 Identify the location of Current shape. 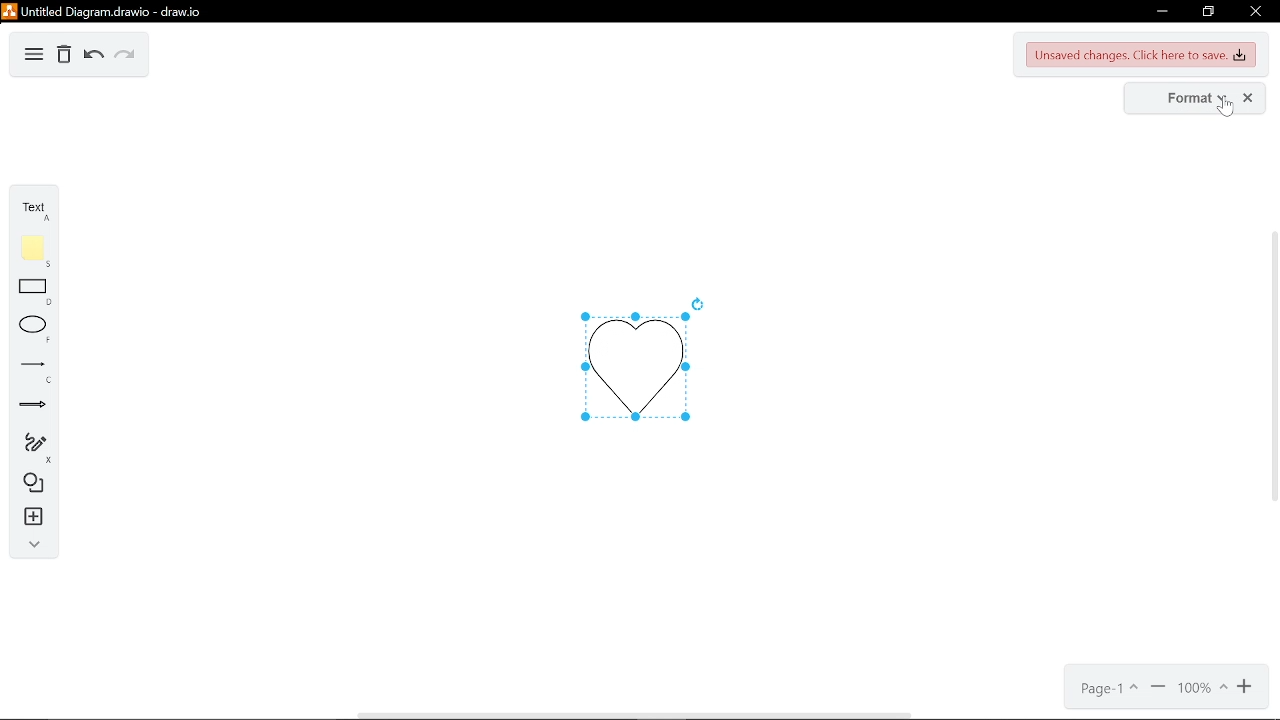
(631, 365).